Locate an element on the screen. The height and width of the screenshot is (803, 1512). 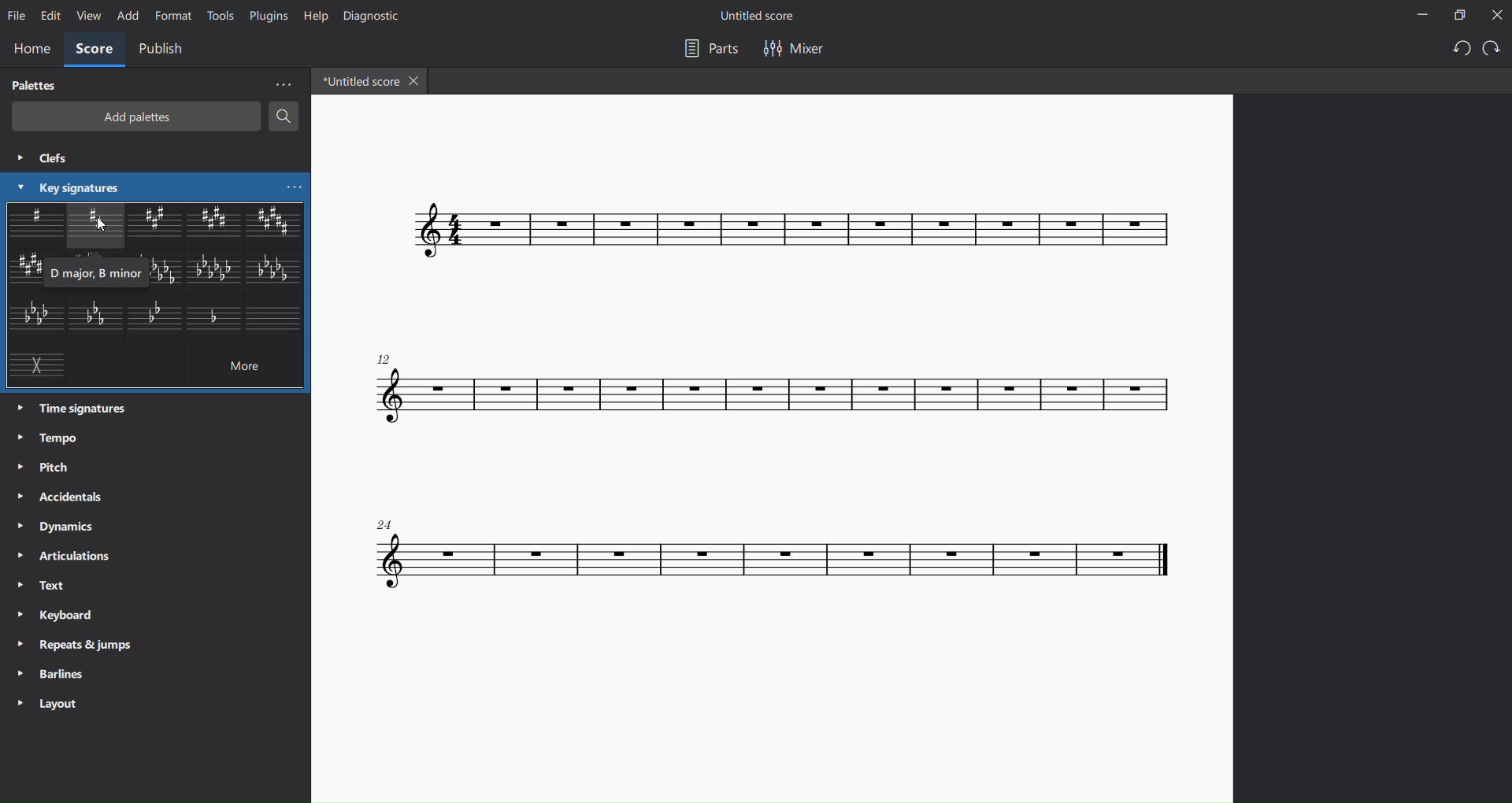
other key signatures is located at coordinates (235, 273).